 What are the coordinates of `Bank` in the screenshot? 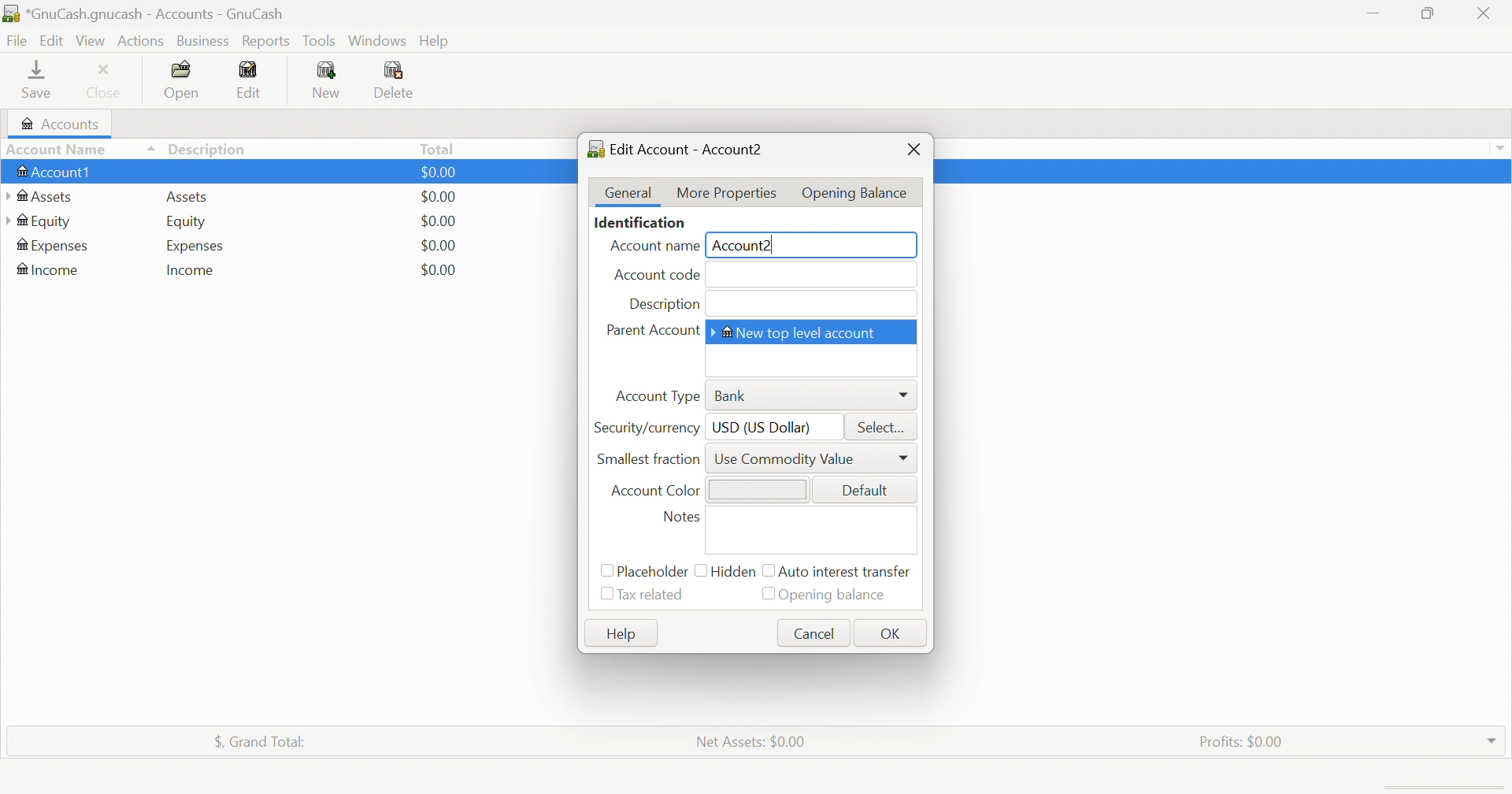 It's located at (733, 396).